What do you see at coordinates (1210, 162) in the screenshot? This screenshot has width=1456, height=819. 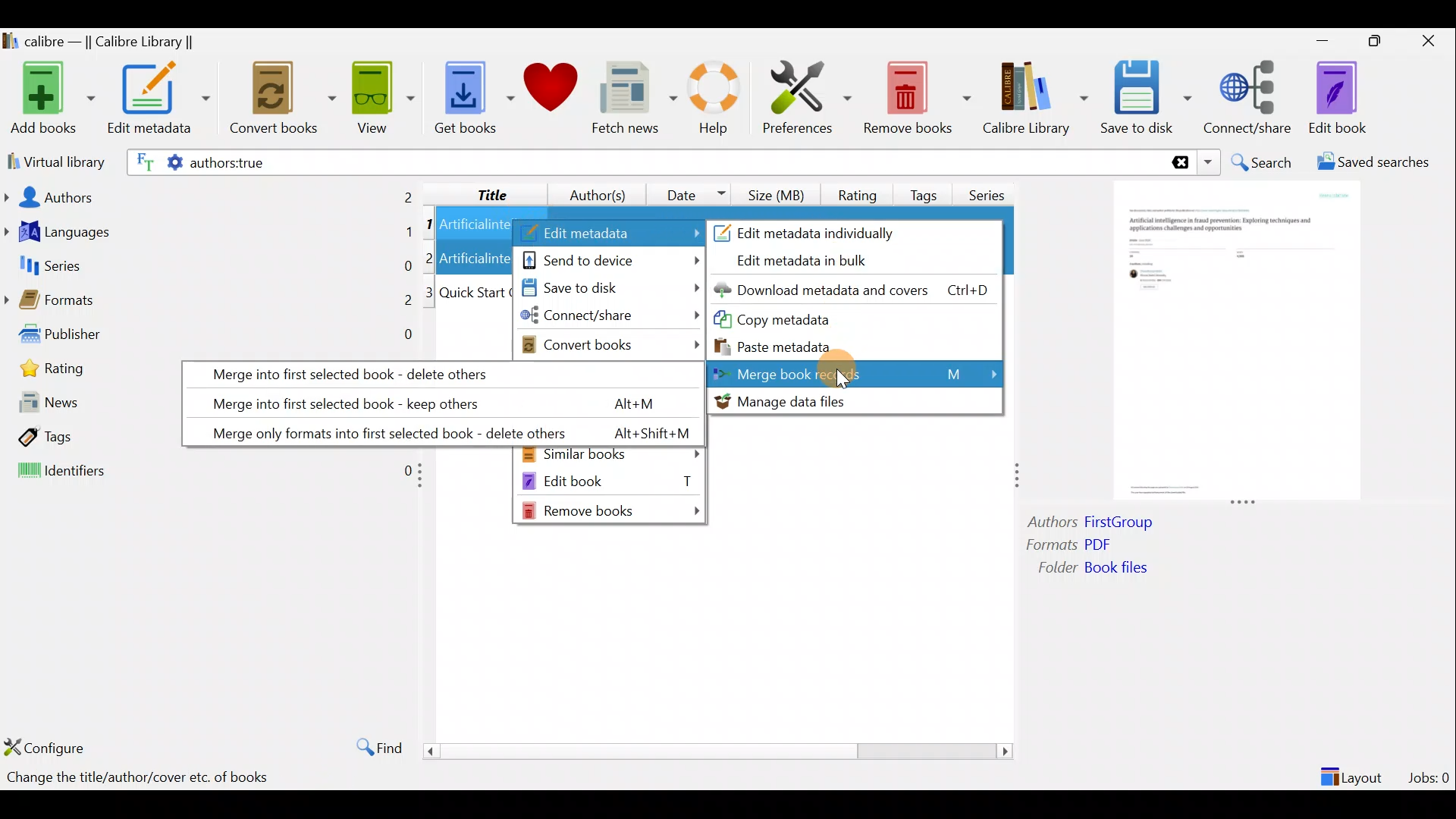 I see `Search dropdown` at bounding box center [1210, 162].